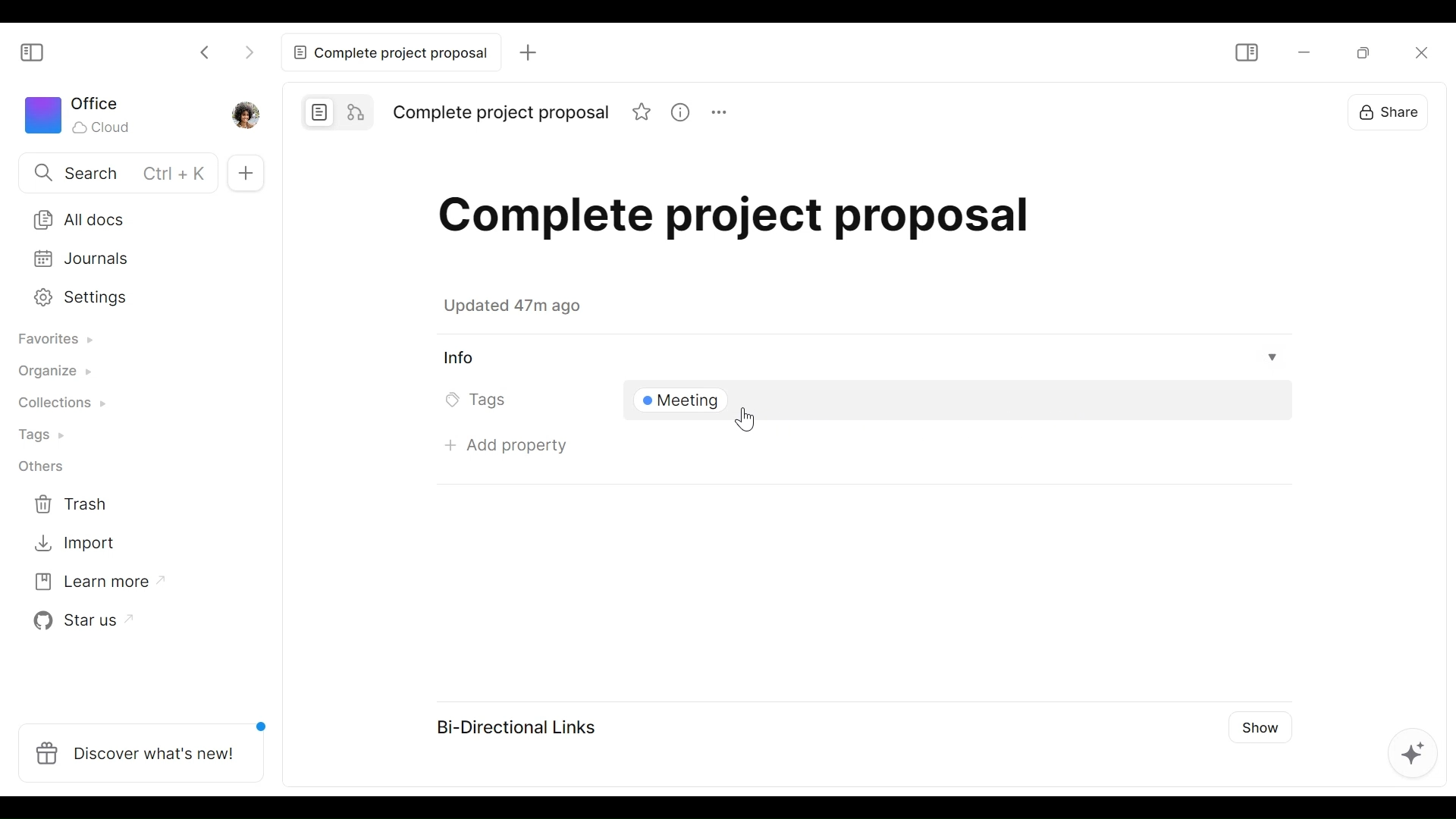 This screenshot has width=1456, height=819. I want to click on Star us, so click(80, 623).